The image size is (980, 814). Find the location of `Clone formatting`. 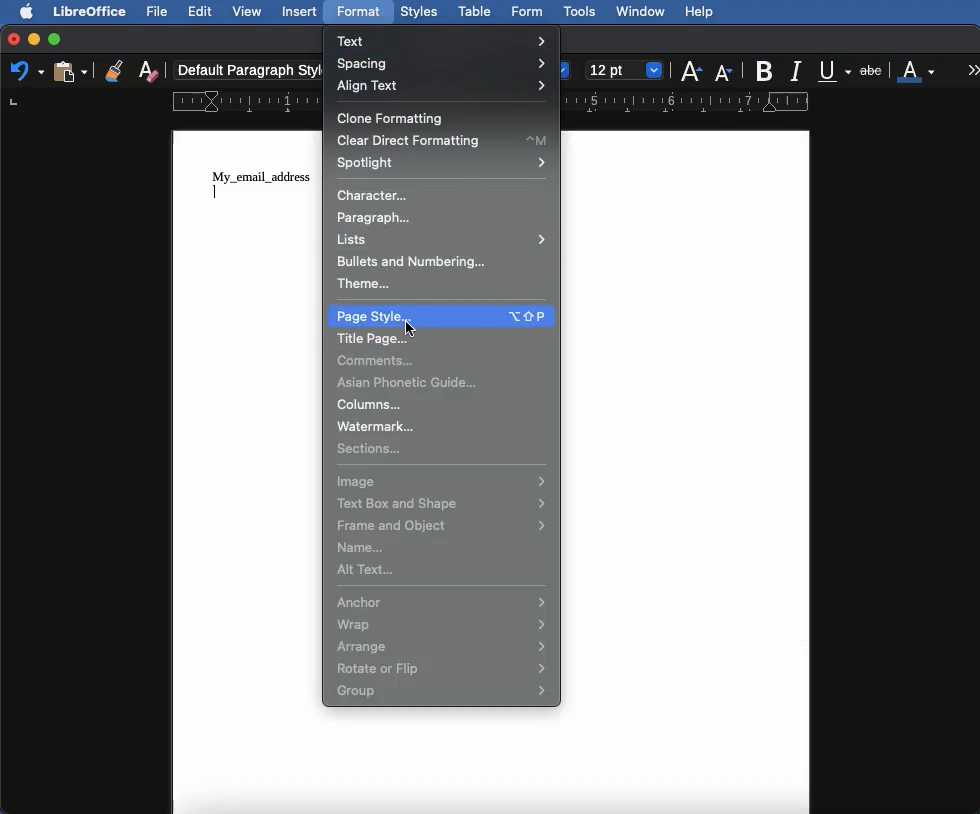

Clone formatting is located at coordinates (114, 70).